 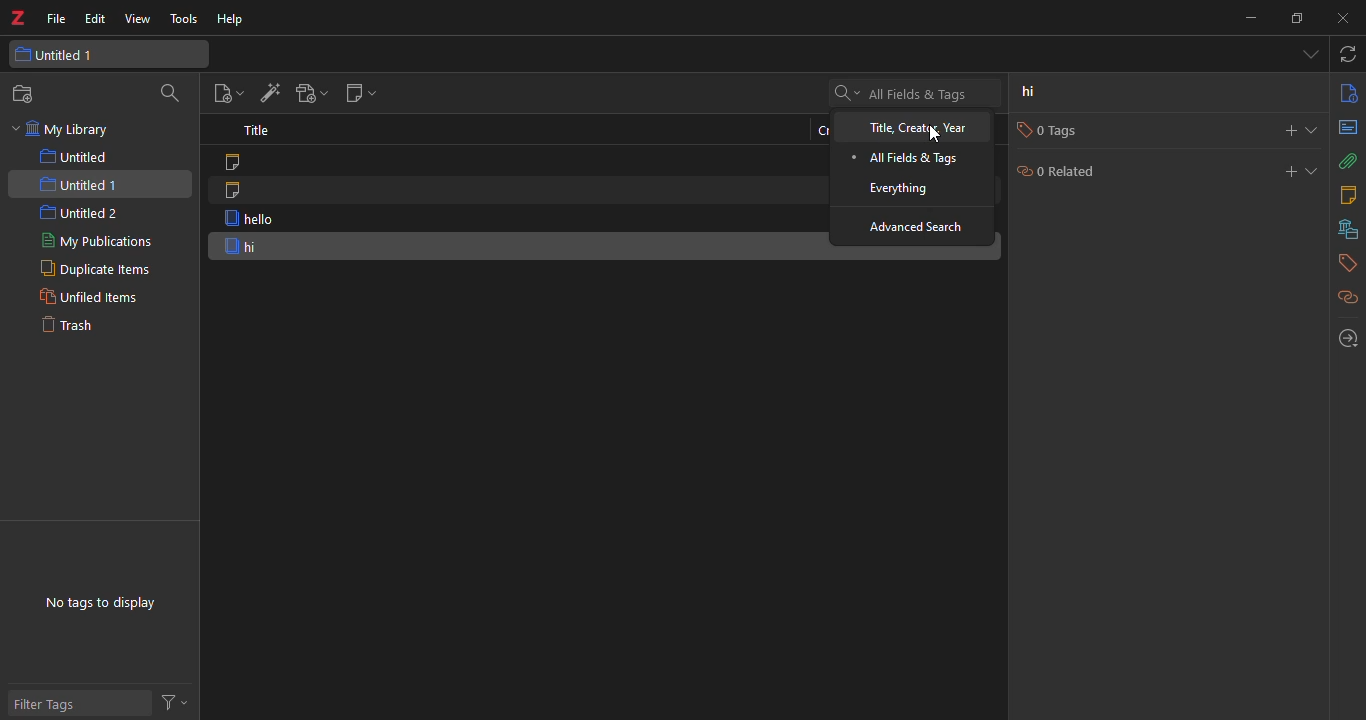 I want to click on add item, so click(x=271, y=93).